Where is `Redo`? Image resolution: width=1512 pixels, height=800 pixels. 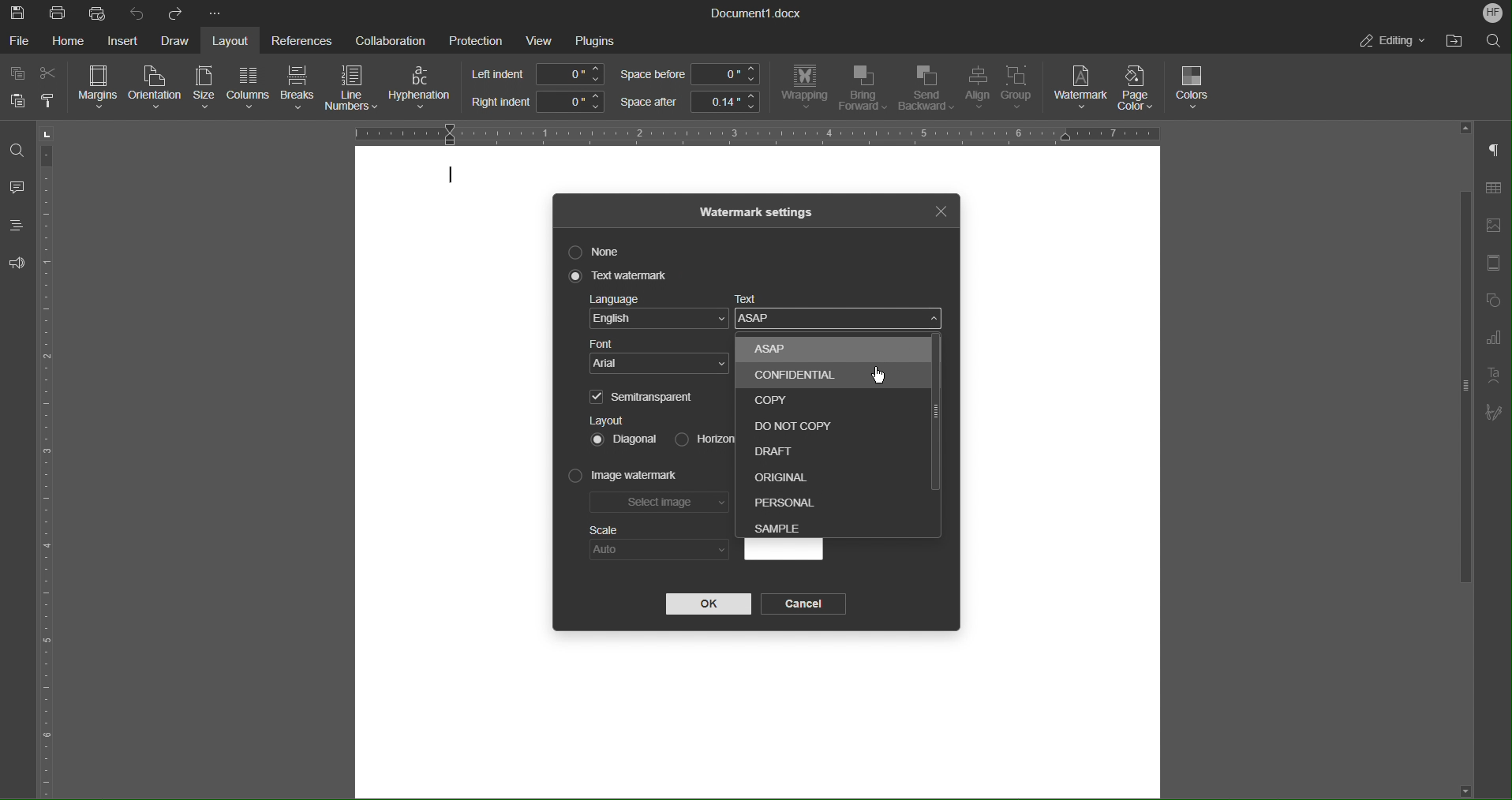 Redo is located at coordinates (174, 13).